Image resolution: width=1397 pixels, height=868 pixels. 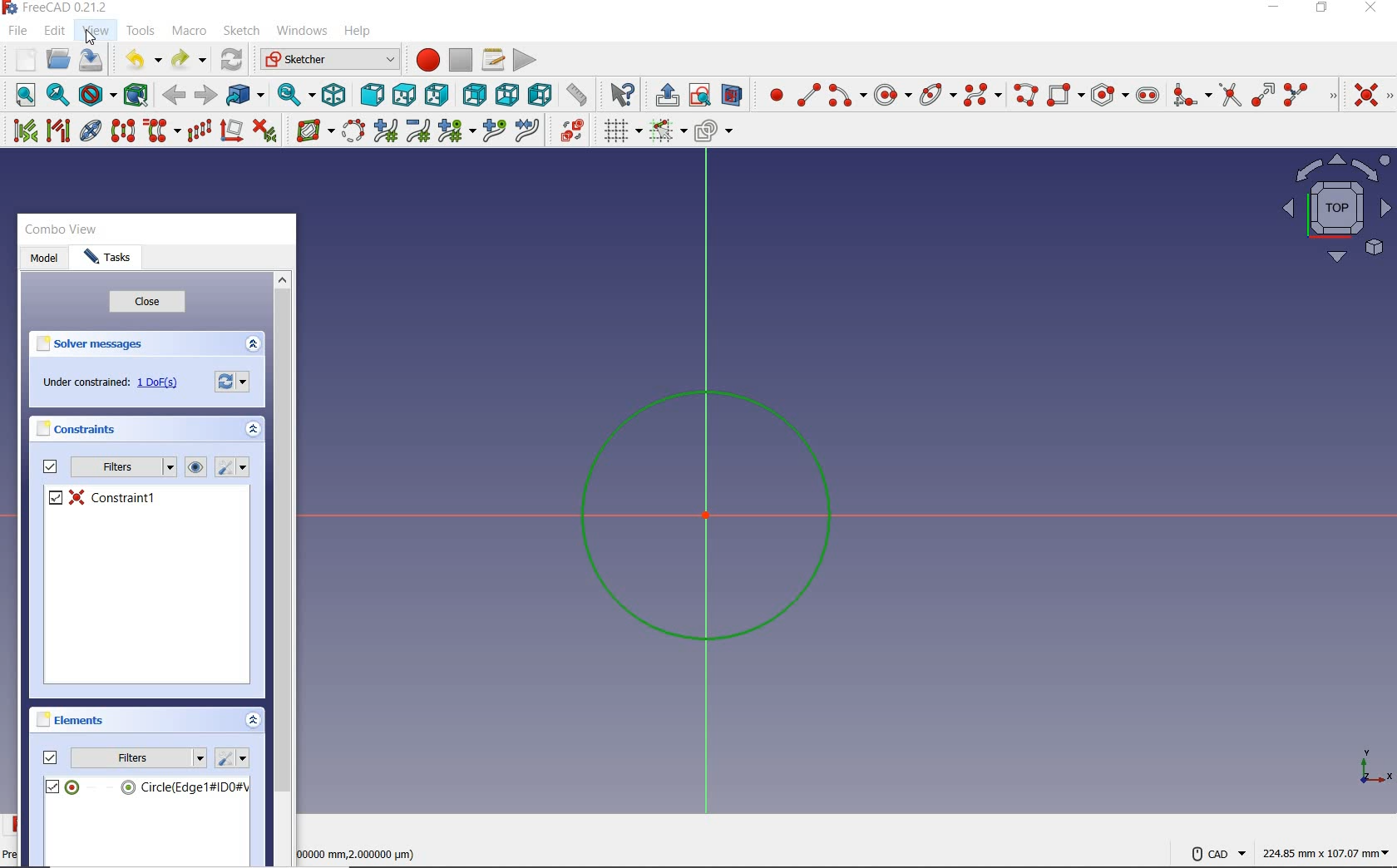 What do you see at coordinates (493, 60) in the screenshot?
I see `macros` at bounding box center [493, 60].